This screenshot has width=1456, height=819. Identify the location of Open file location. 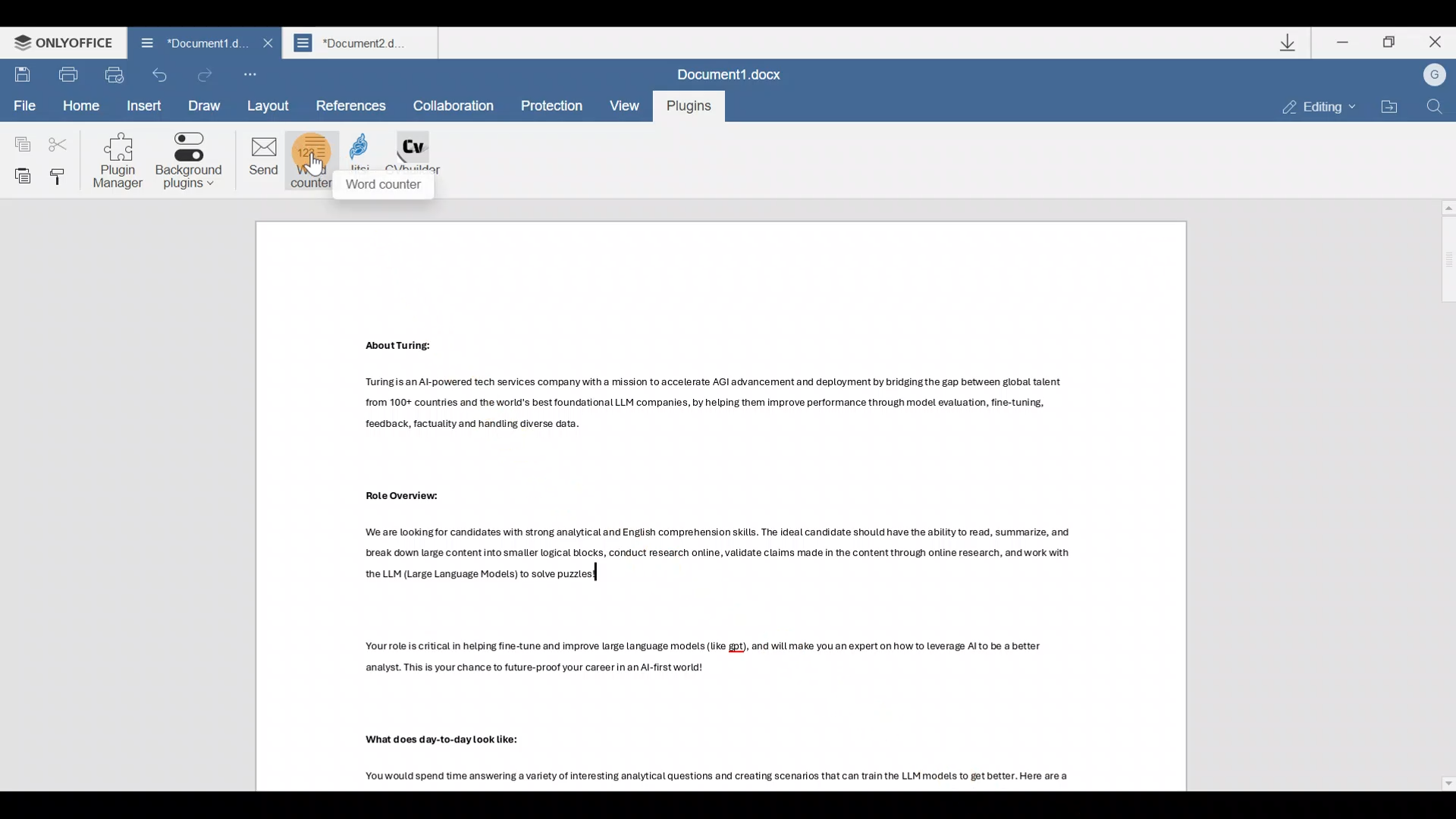
(1392, 105).